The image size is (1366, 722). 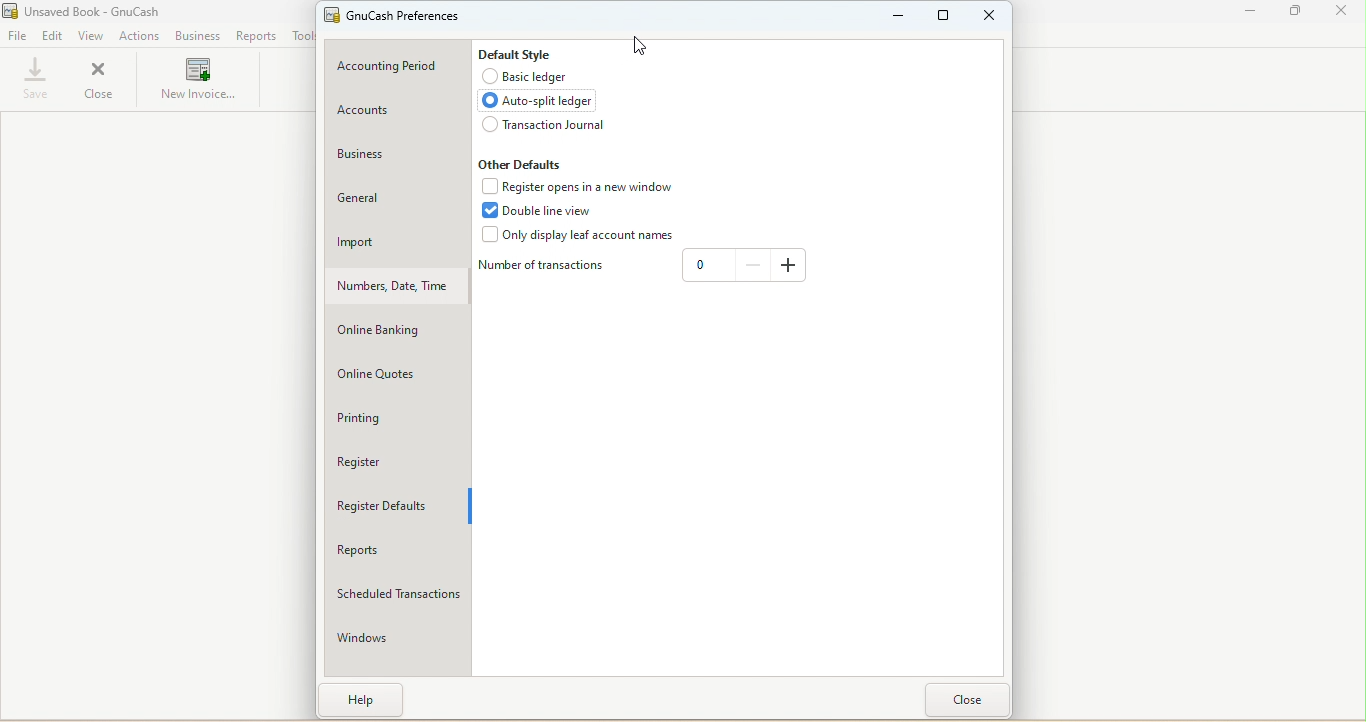 What do you see at coordinates (256, 37) in the screenshot?
I see `Reports` at bounding box center [256, 37].